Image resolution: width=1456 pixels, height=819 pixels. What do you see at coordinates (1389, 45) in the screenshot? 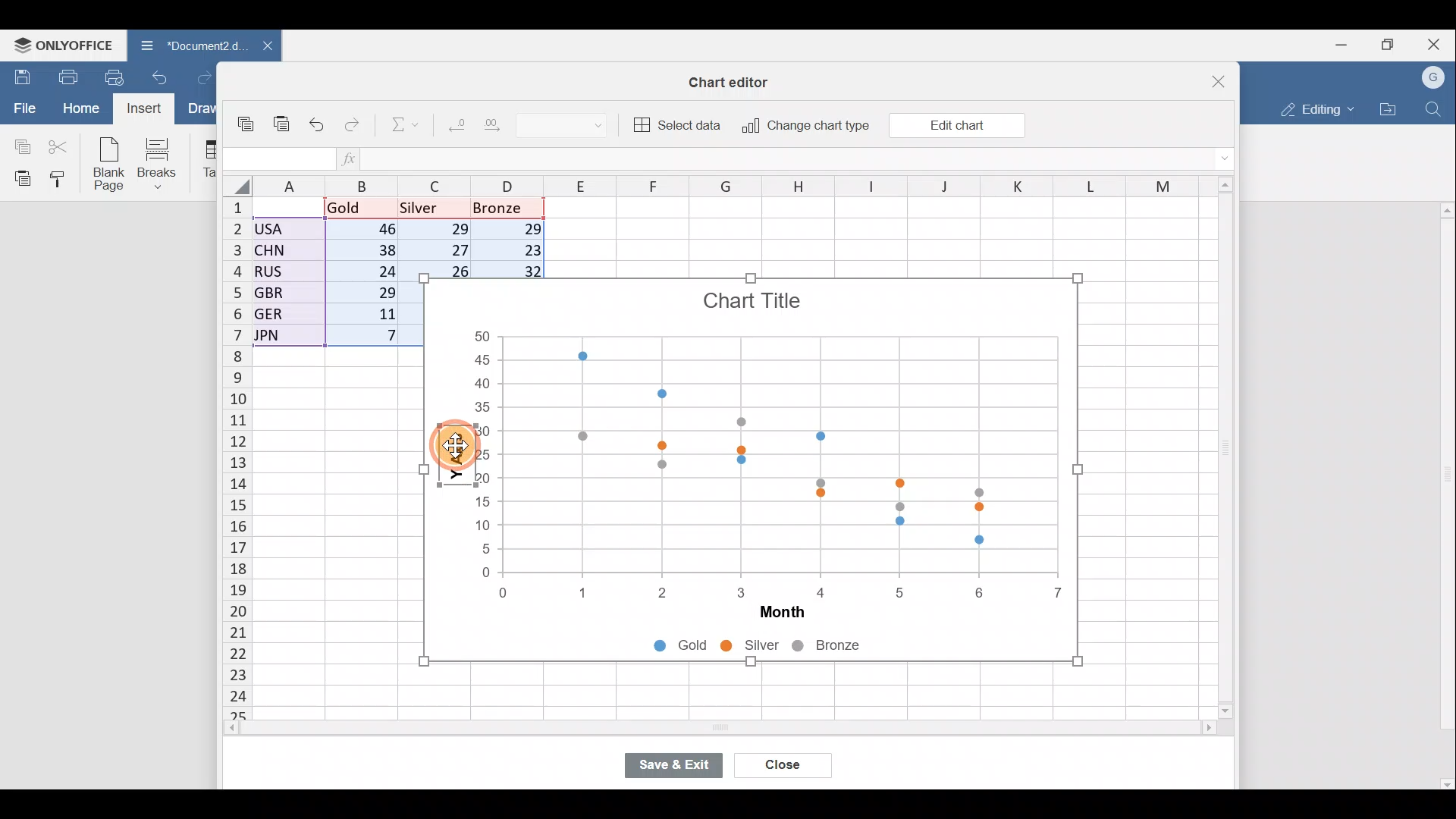
I see `Maximize` at bounding box center [1389, 45].